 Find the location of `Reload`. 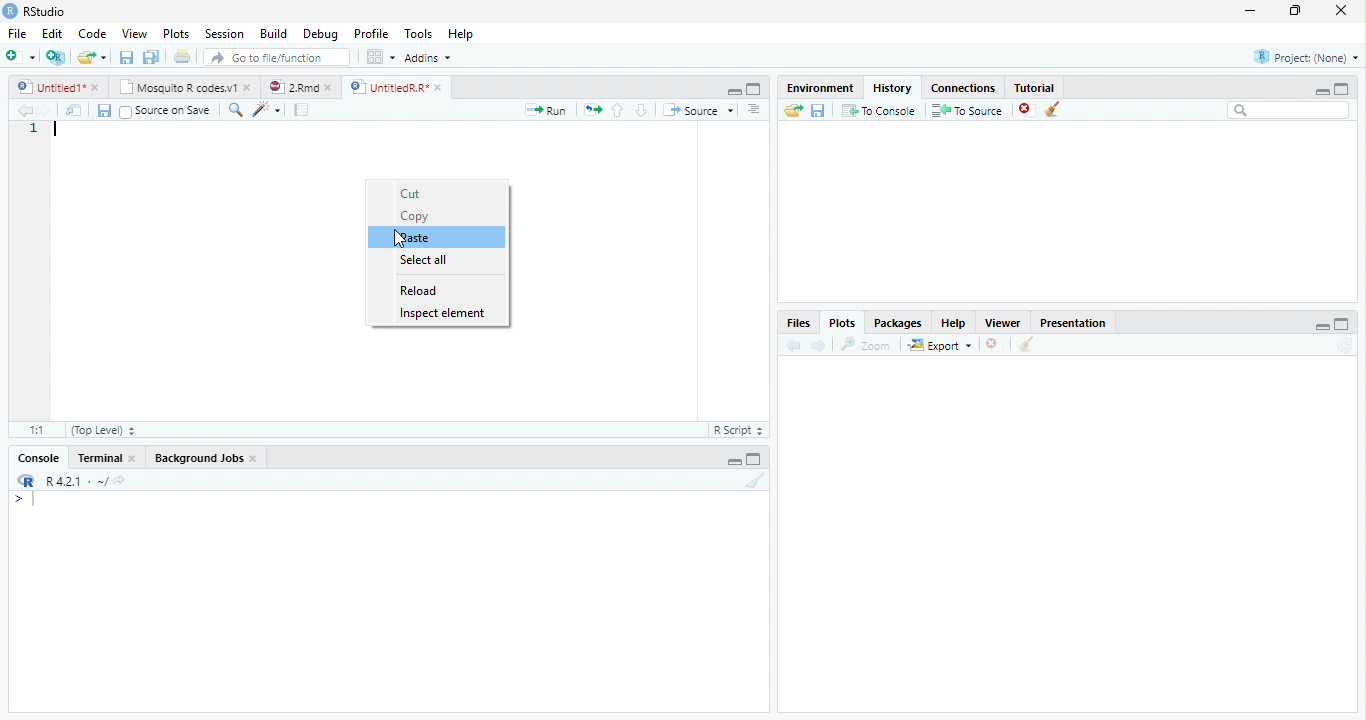

Reload is located at coordinates (436, 289).